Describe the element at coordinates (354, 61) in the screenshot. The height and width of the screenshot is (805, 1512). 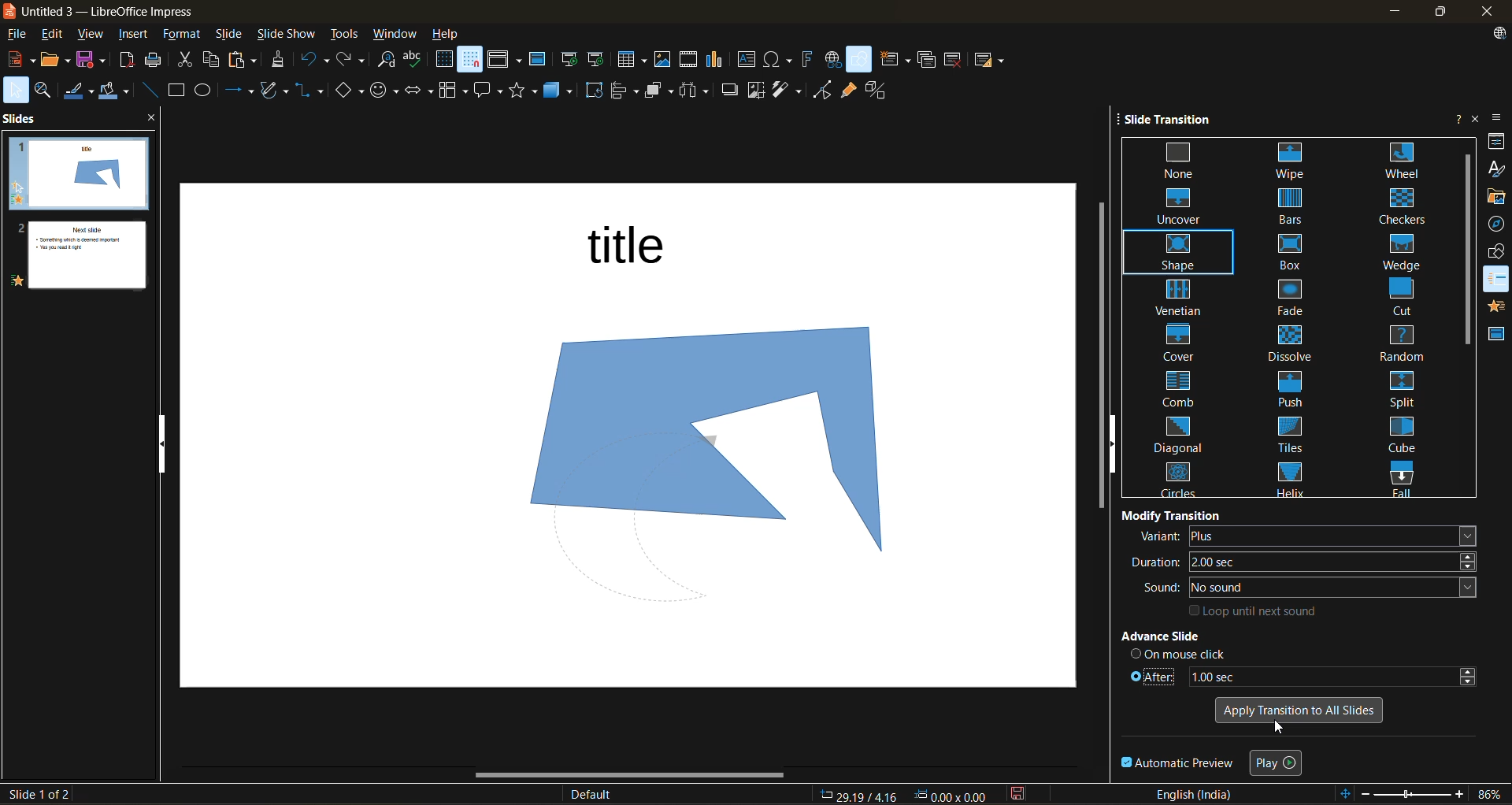
I see `redo` at that location.